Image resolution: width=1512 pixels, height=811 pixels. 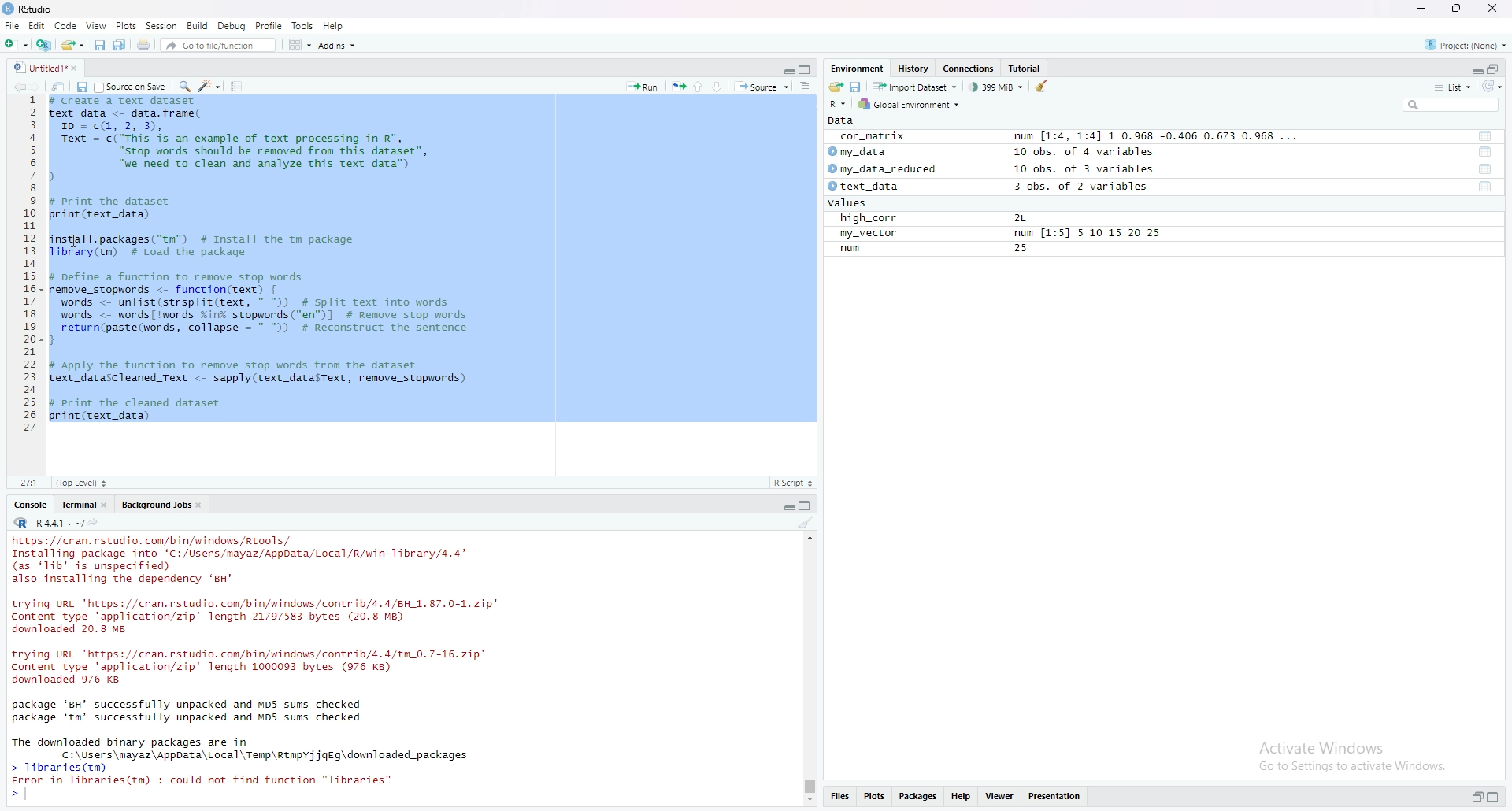 What do you see at coordinates (916, 106) in the screenshot?
I see `global environment` at bounding box center [916, 106].